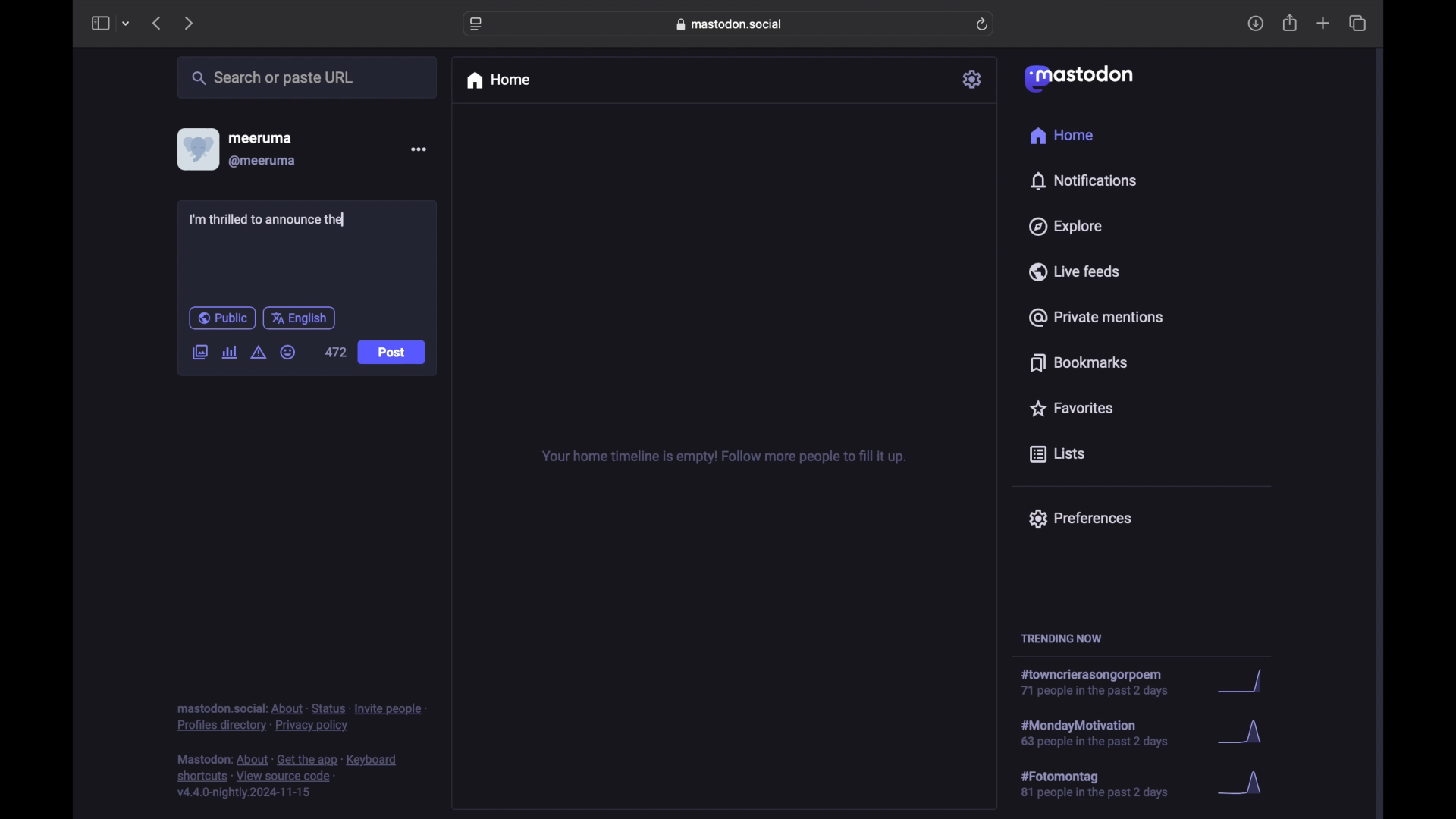  I want to click on mastodon, so click(1079, 79).